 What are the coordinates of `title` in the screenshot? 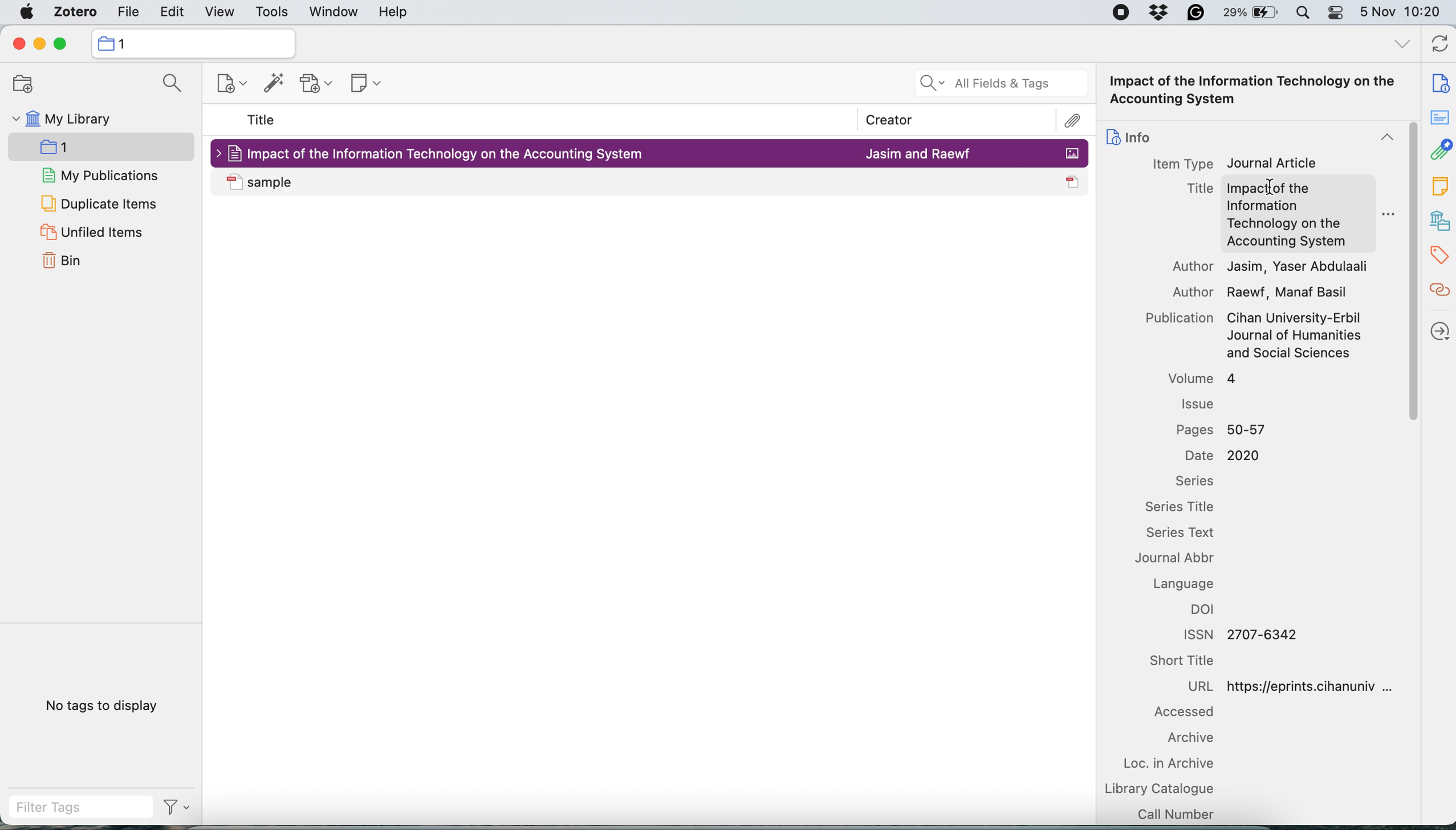 It's located at (262, 122).